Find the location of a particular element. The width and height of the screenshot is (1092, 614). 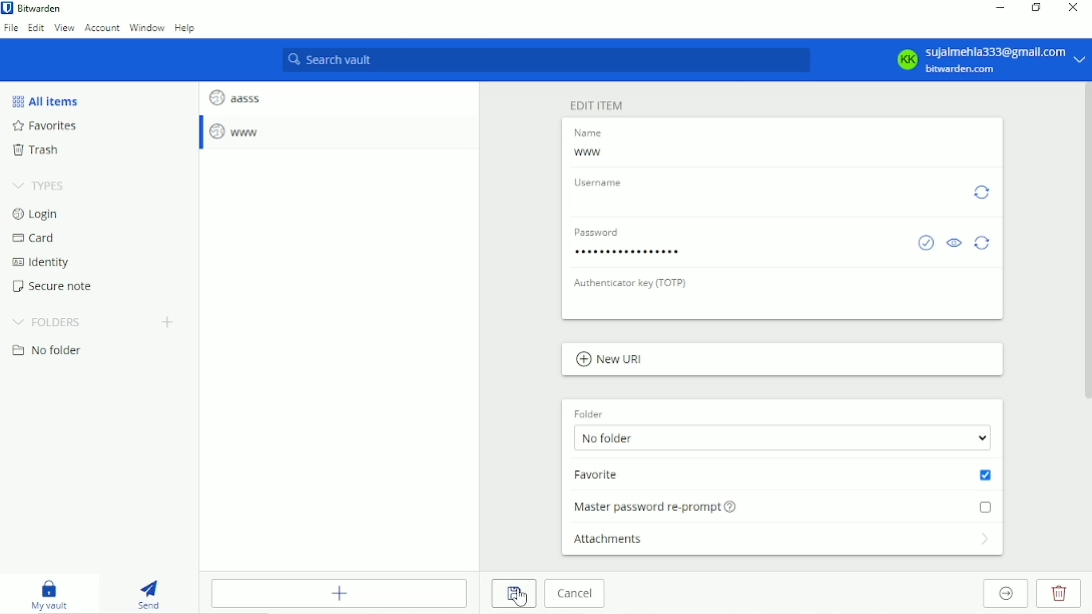

Generate password is located at coordinates (984, 242).